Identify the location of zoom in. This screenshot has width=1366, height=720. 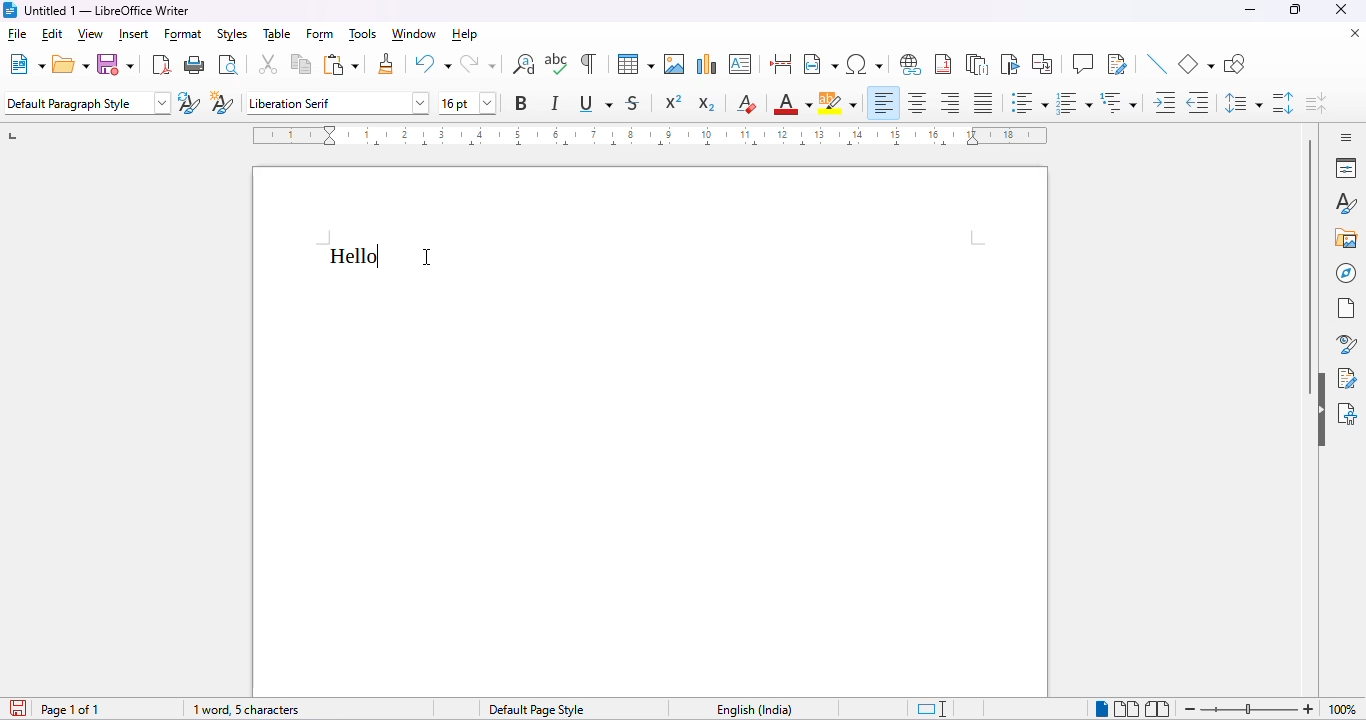
(1307, 708).